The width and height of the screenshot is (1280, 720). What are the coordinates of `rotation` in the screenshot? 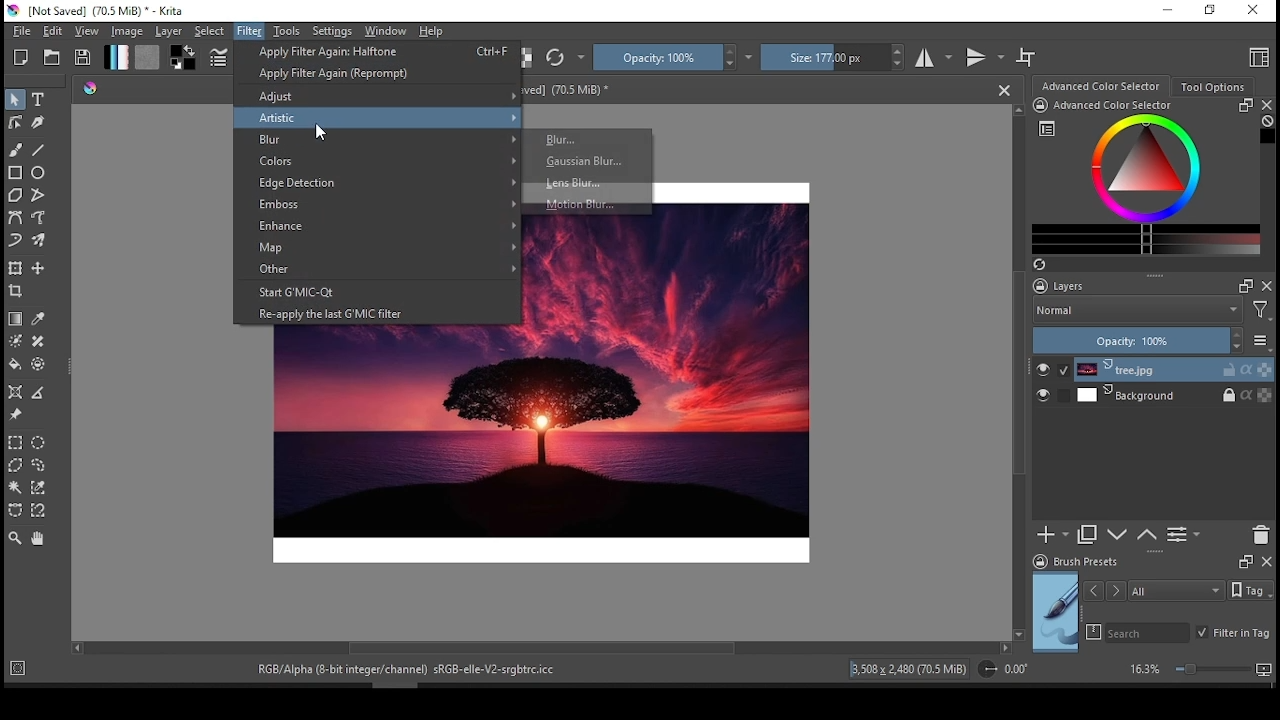 It's located at (1004, 670).